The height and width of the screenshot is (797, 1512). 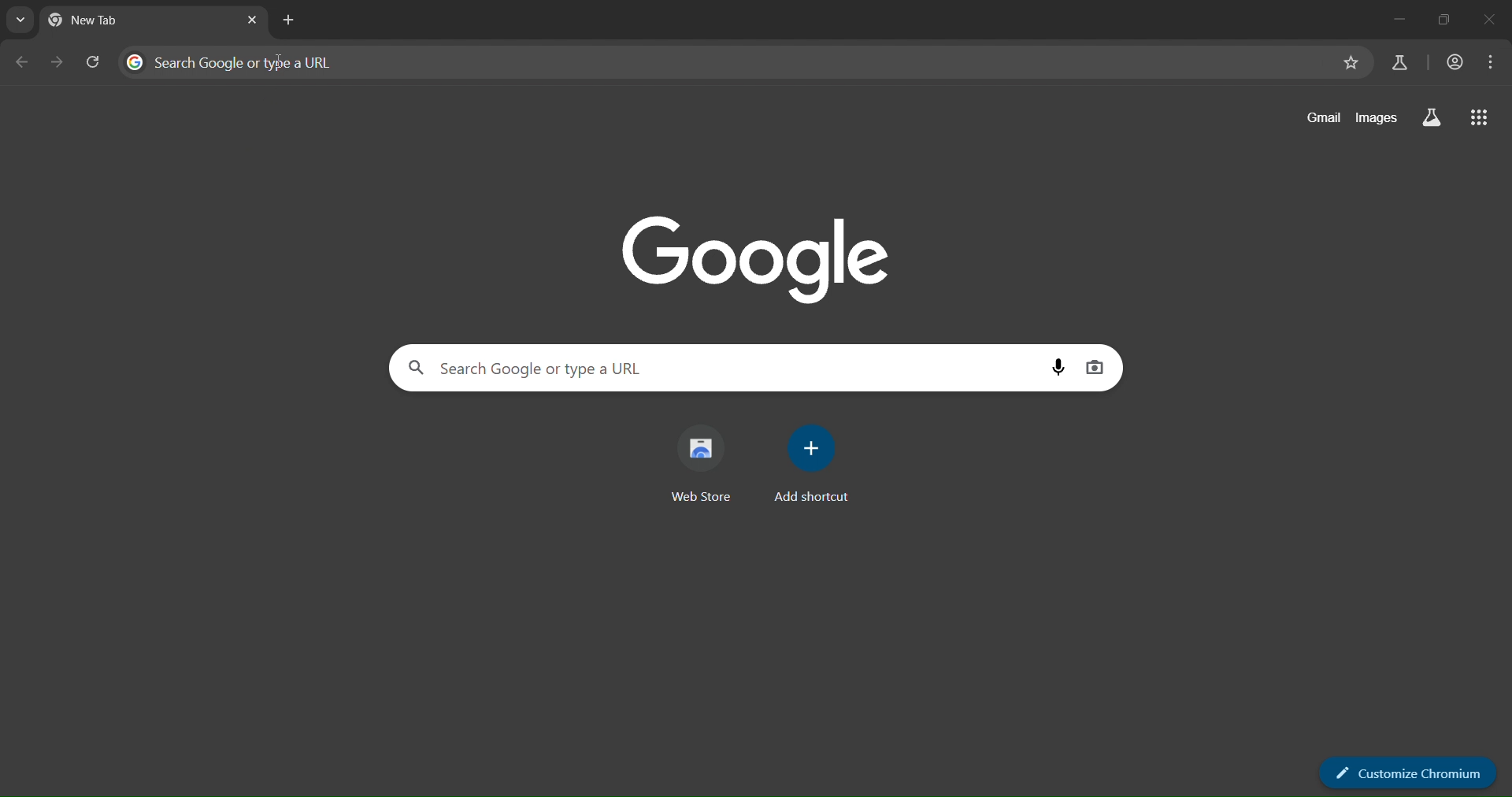 I want to click on search labs, so click(x=1401, y=61).